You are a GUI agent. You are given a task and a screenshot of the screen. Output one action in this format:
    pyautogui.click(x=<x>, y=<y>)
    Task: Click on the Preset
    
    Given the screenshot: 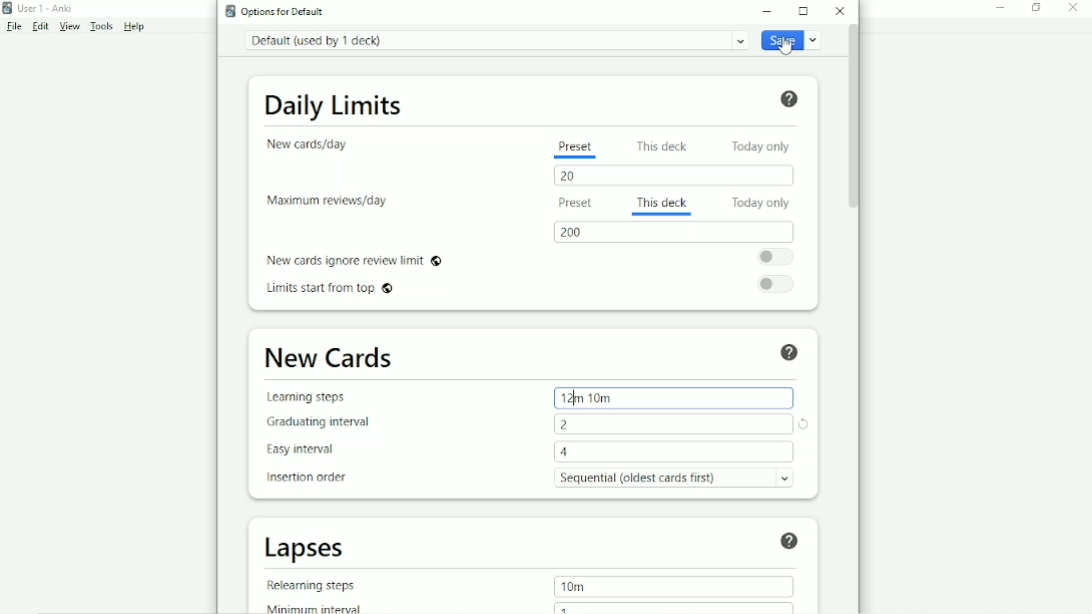 What is the action you would take?
    pyautogui.click(x=575, y=148)
    